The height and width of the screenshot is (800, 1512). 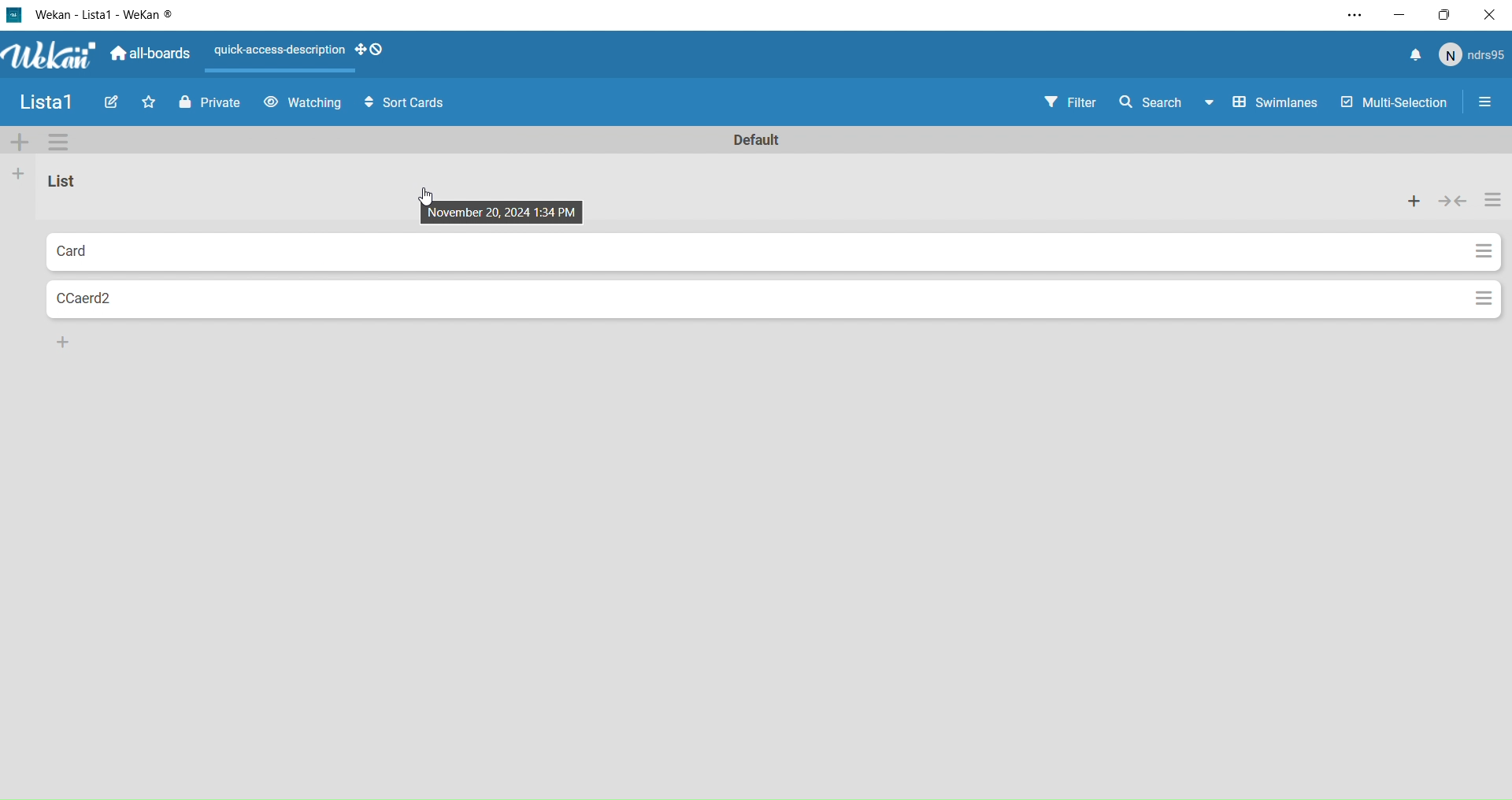 What do you see at coordinates (1483, 298) in the screenshot?
I see `Options` at bounding box center [1483, 298].